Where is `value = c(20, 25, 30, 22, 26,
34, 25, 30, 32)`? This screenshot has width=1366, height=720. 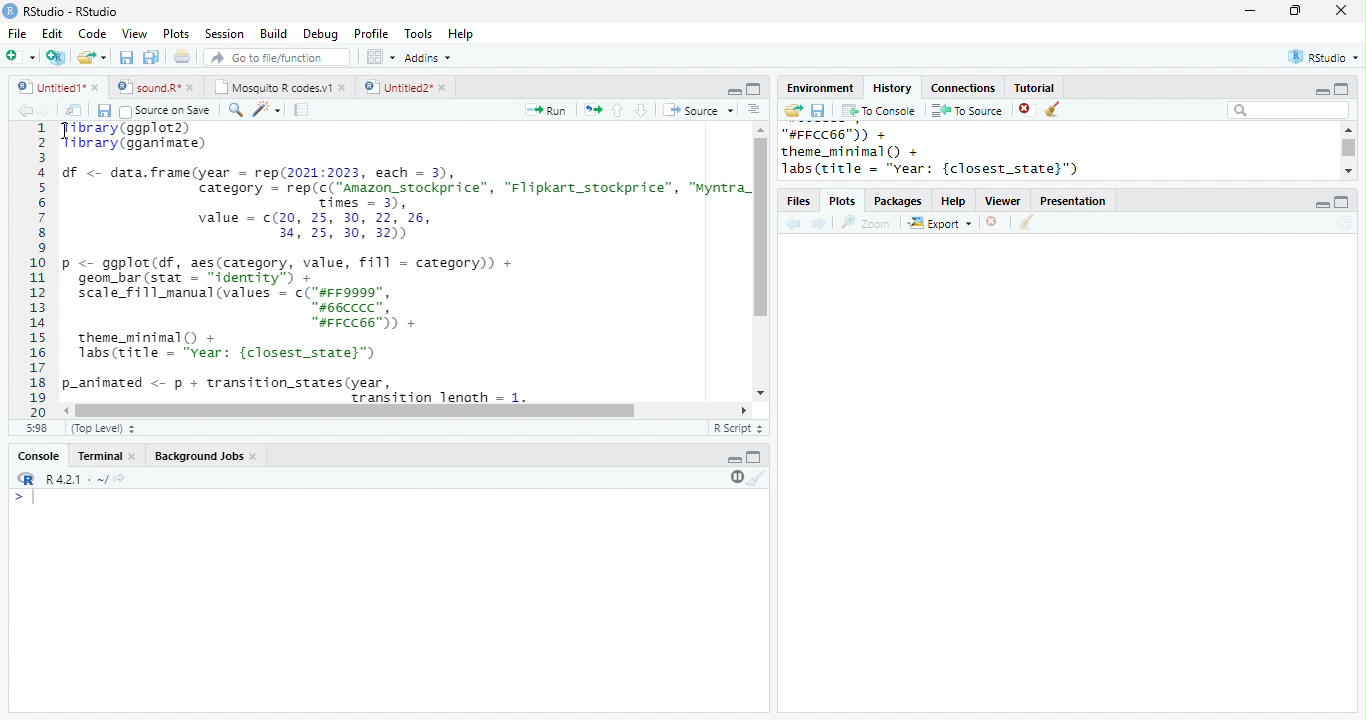
value = c(20, 25, 30, 22, 26,
34, 25, 30, 32) is located at coordinates (325, 227).